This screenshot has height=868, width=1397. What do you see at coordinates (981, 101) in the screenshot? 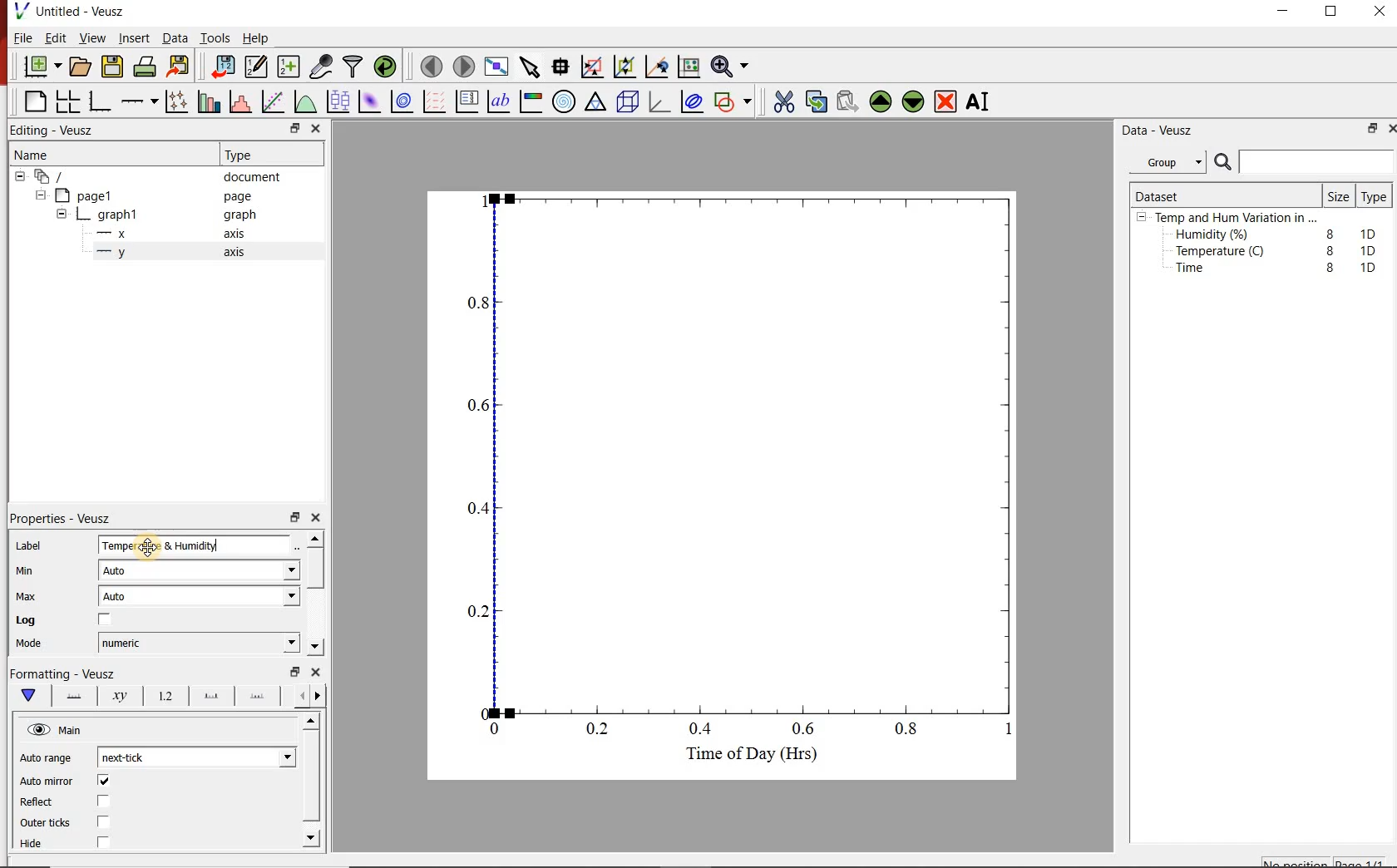
I see `Rename the selected widget` at bounding box center [981, 101].